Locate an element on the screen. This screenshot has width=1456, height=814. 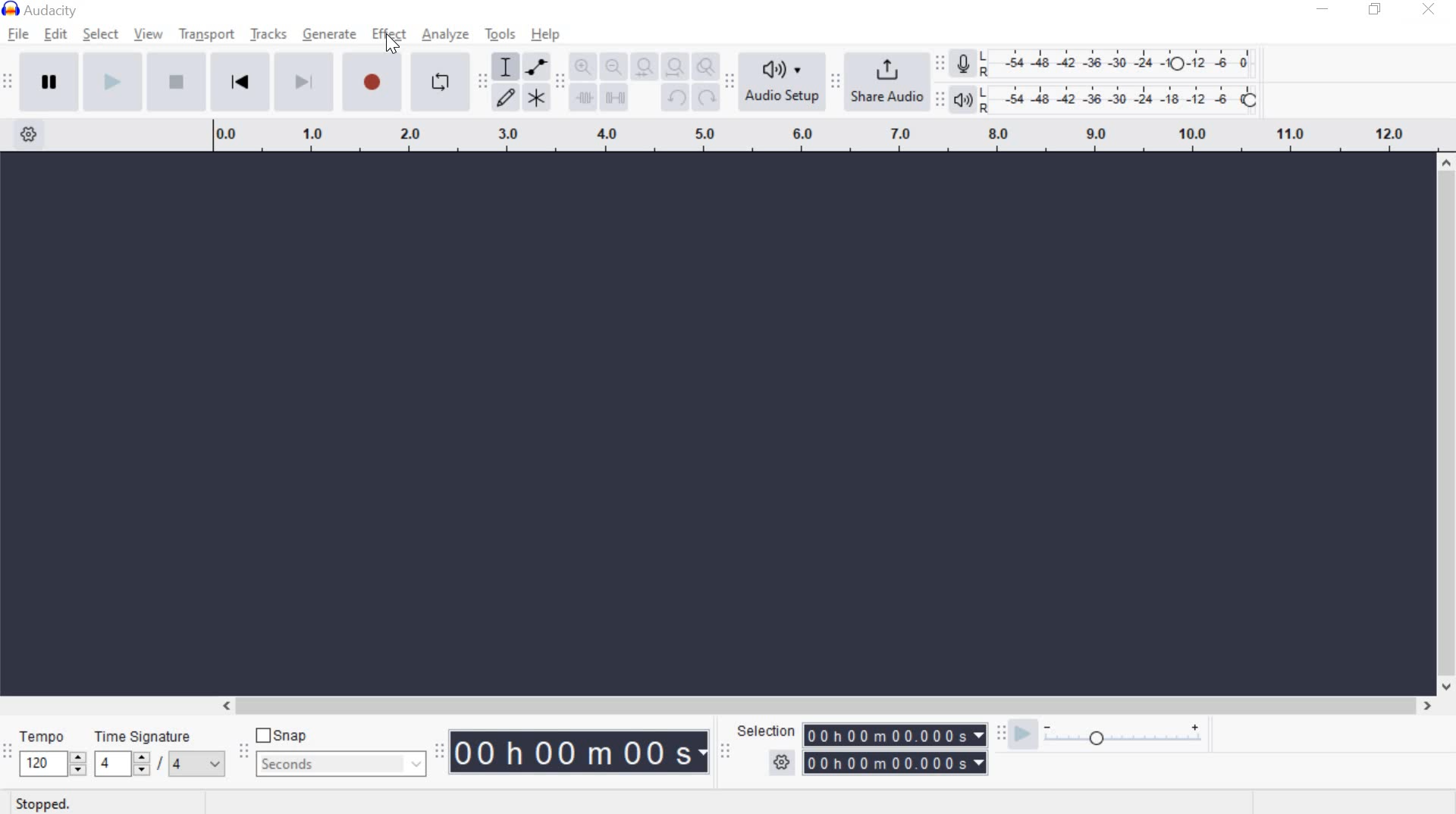
Fit project to width is located at coordinates (677, 67).